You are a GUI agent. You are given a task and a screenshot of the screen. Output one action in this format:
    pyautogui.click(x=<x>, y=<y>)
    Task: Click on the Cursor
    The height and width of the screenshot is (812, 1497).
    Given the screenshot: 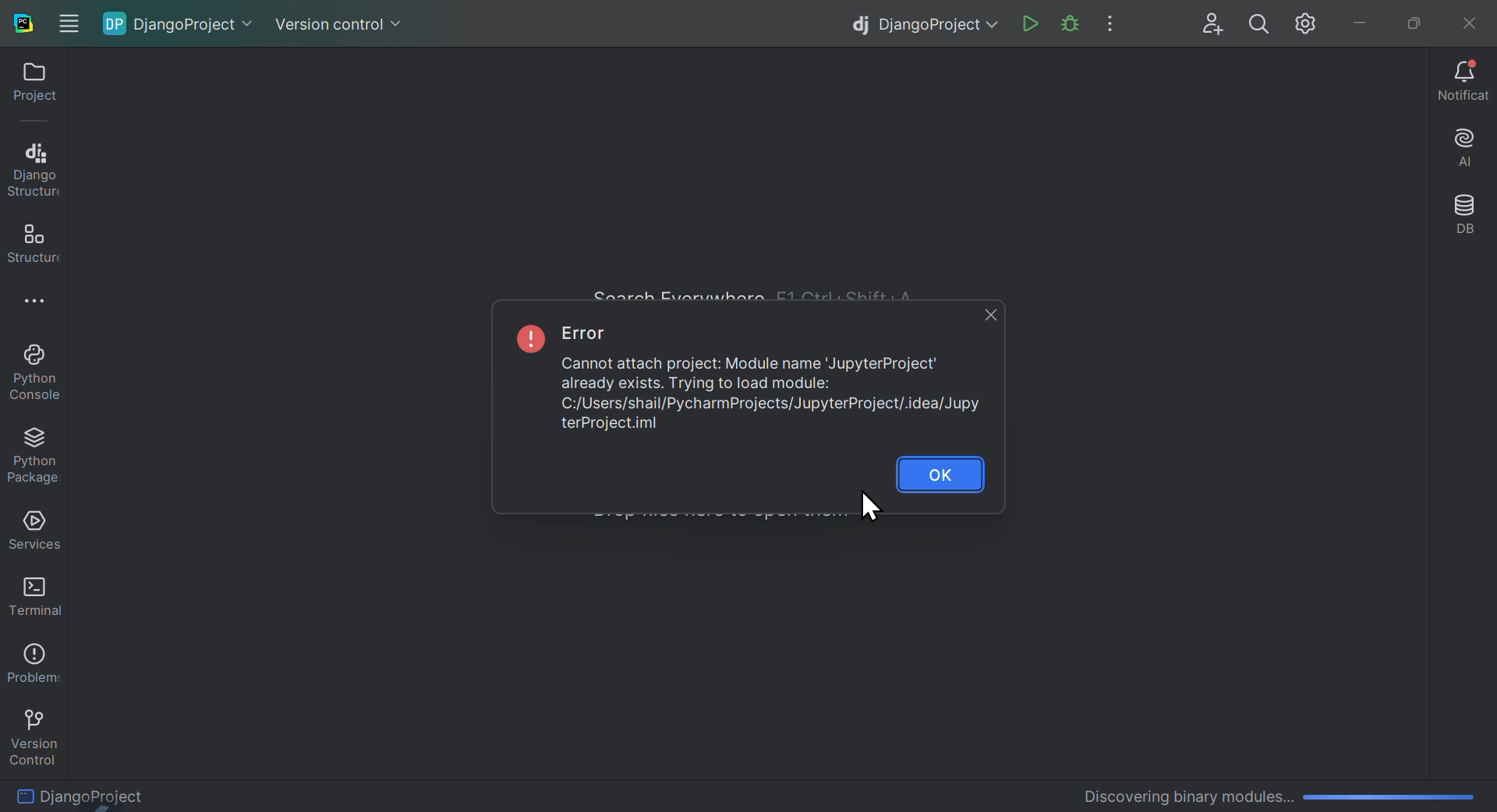 What is the action you would take?
    pyautogui.click(x=860, y=509)
    